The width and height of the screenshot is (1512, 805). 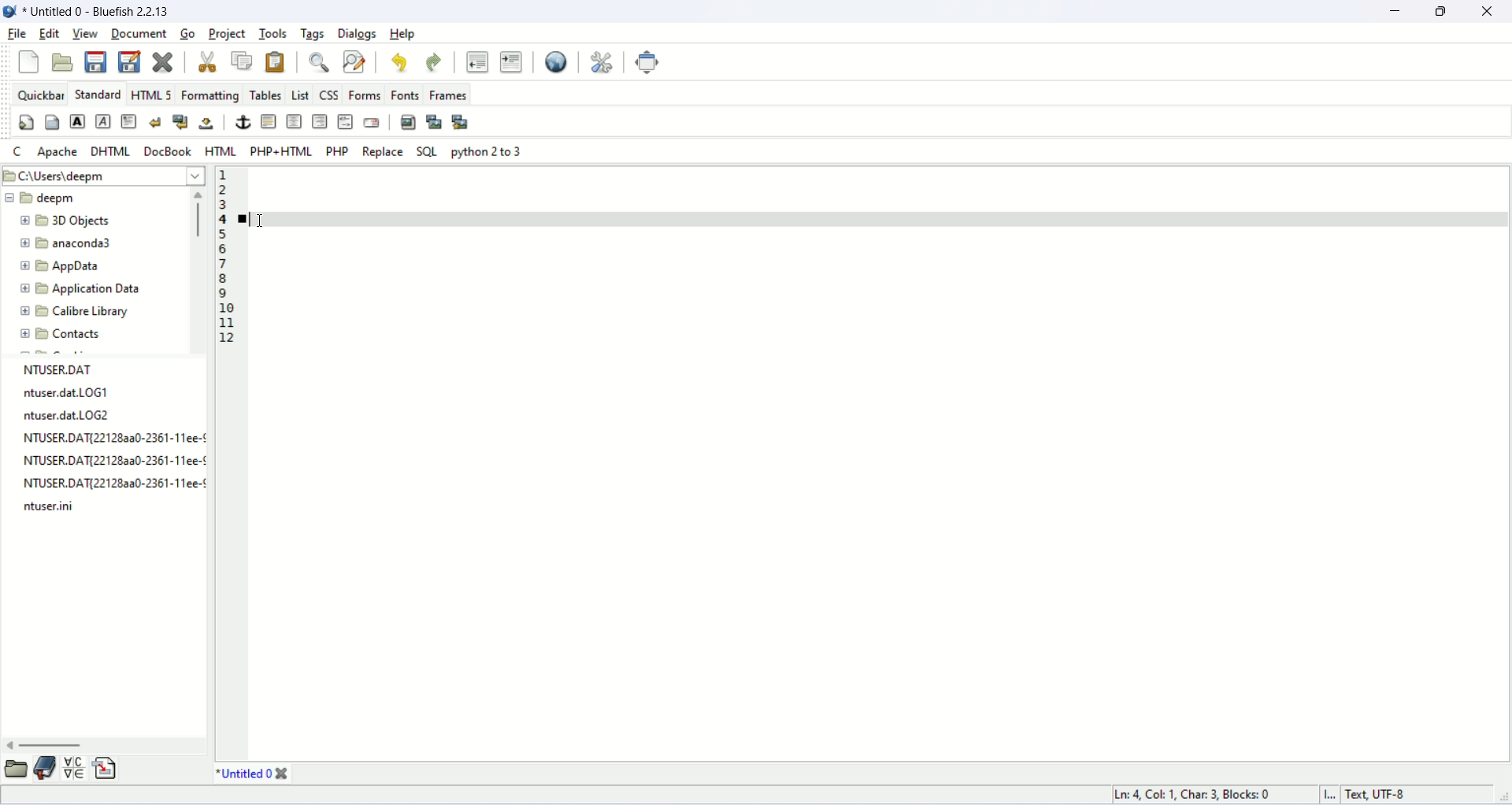 What do you see at coordinates (555, 62) in the screenshot?
I see `preview in browser` at bounding box center [555, 62].